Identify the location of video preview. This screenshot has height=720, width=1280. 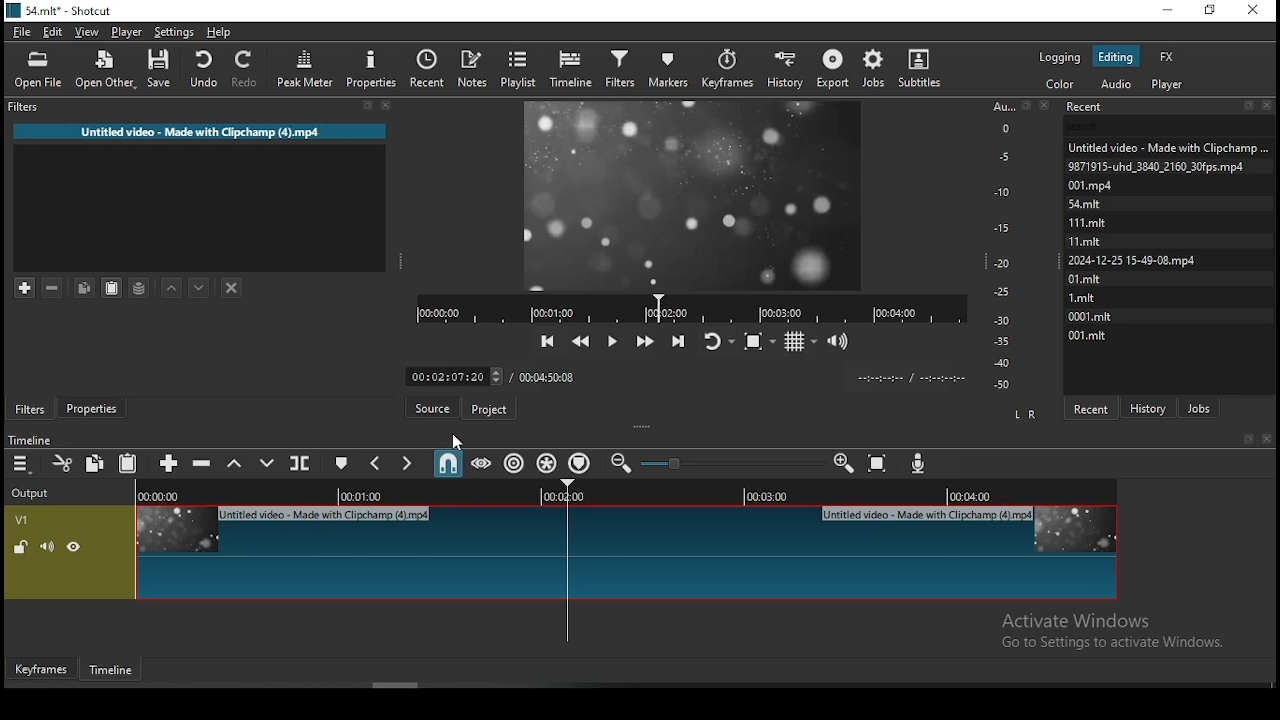
(695, 194).